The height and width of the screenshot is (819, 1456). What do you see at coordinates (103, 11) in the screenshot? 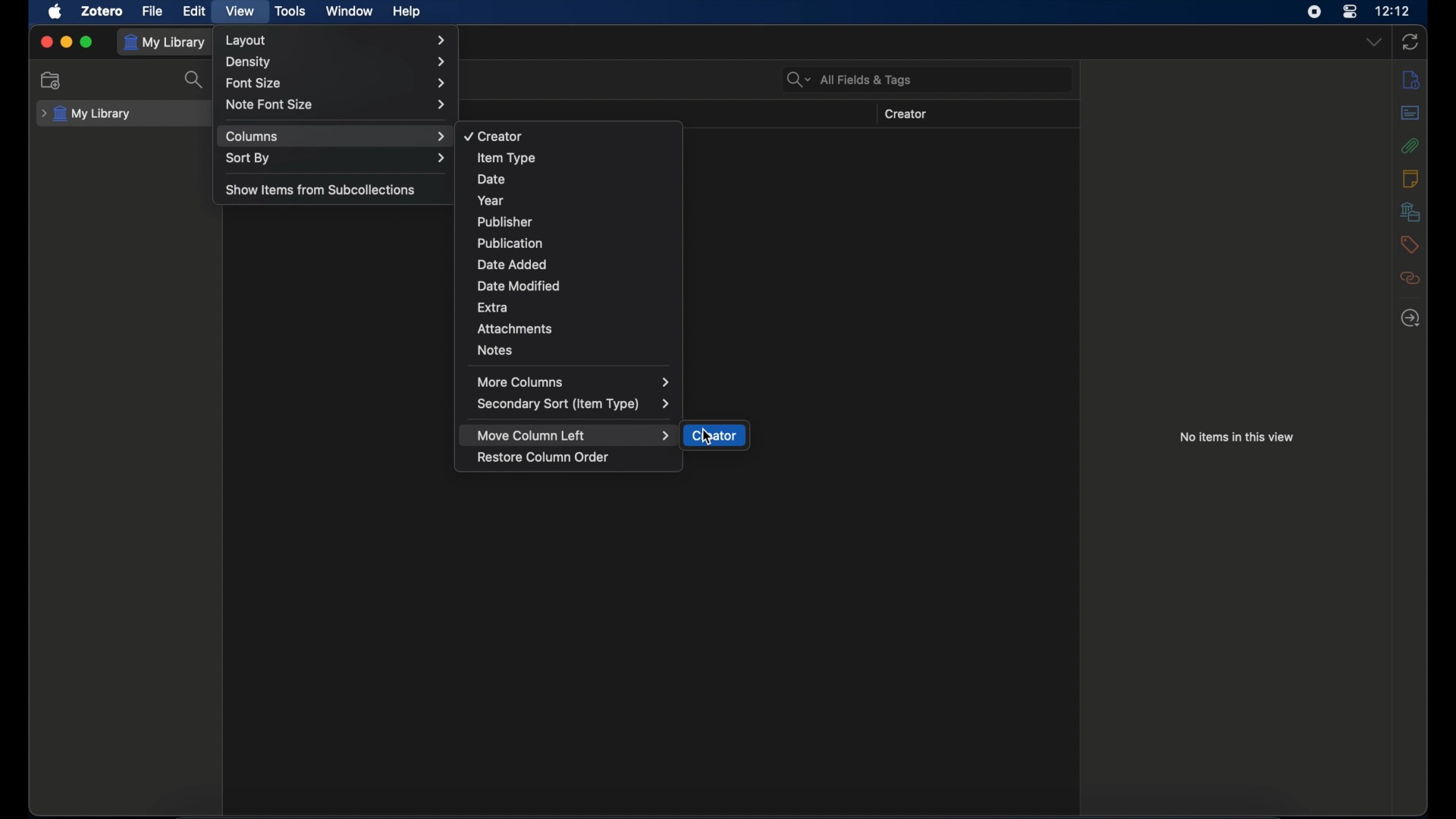
I see `zotero` at bounding box center [103, 11].